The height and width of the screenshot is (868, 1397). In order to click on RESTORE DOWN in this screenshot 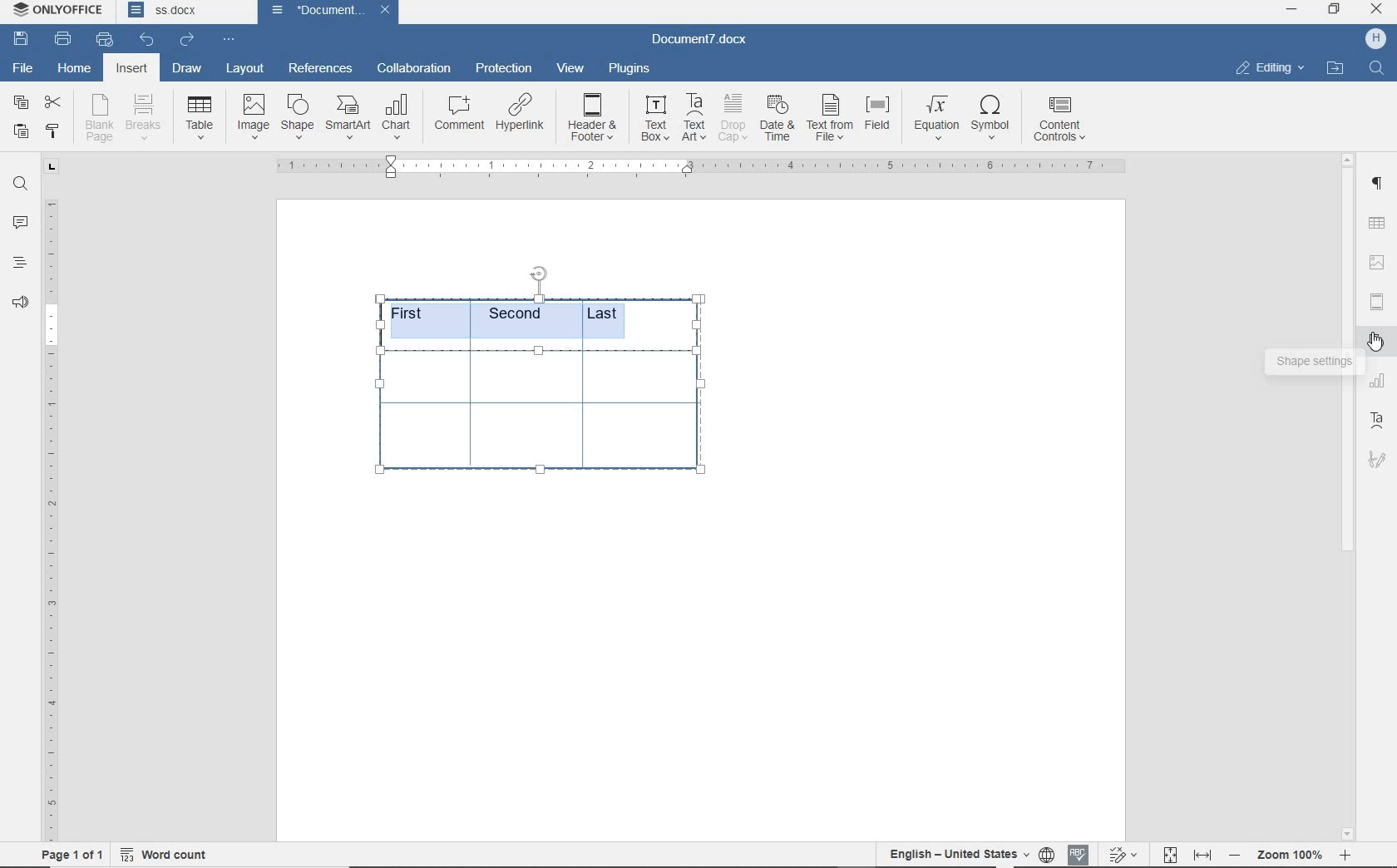, I will do `click(1335, 10)`.